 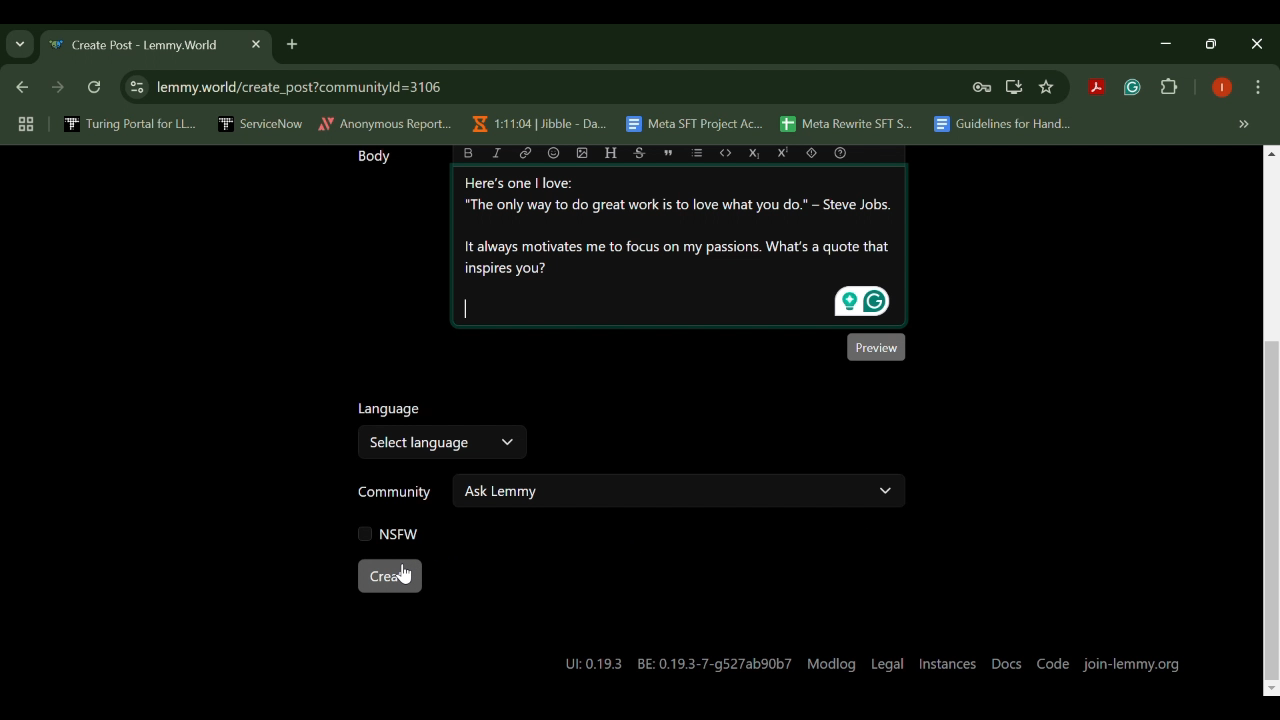 I want to click on Scroll Bar, so click(x=1272, y=419).